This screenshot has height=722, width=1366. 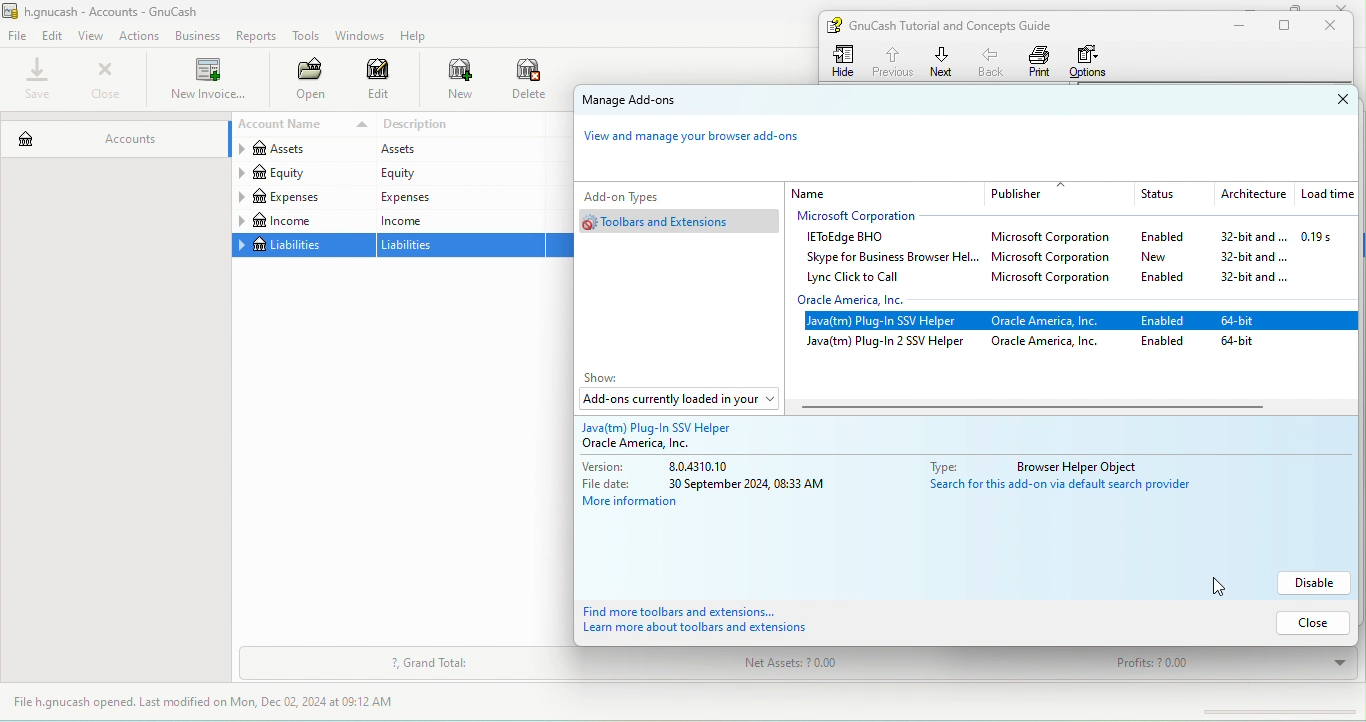 What do you see at coordinates (112, 134) in the screenshot?
I see `accounts` at bounding box center [112, 134].